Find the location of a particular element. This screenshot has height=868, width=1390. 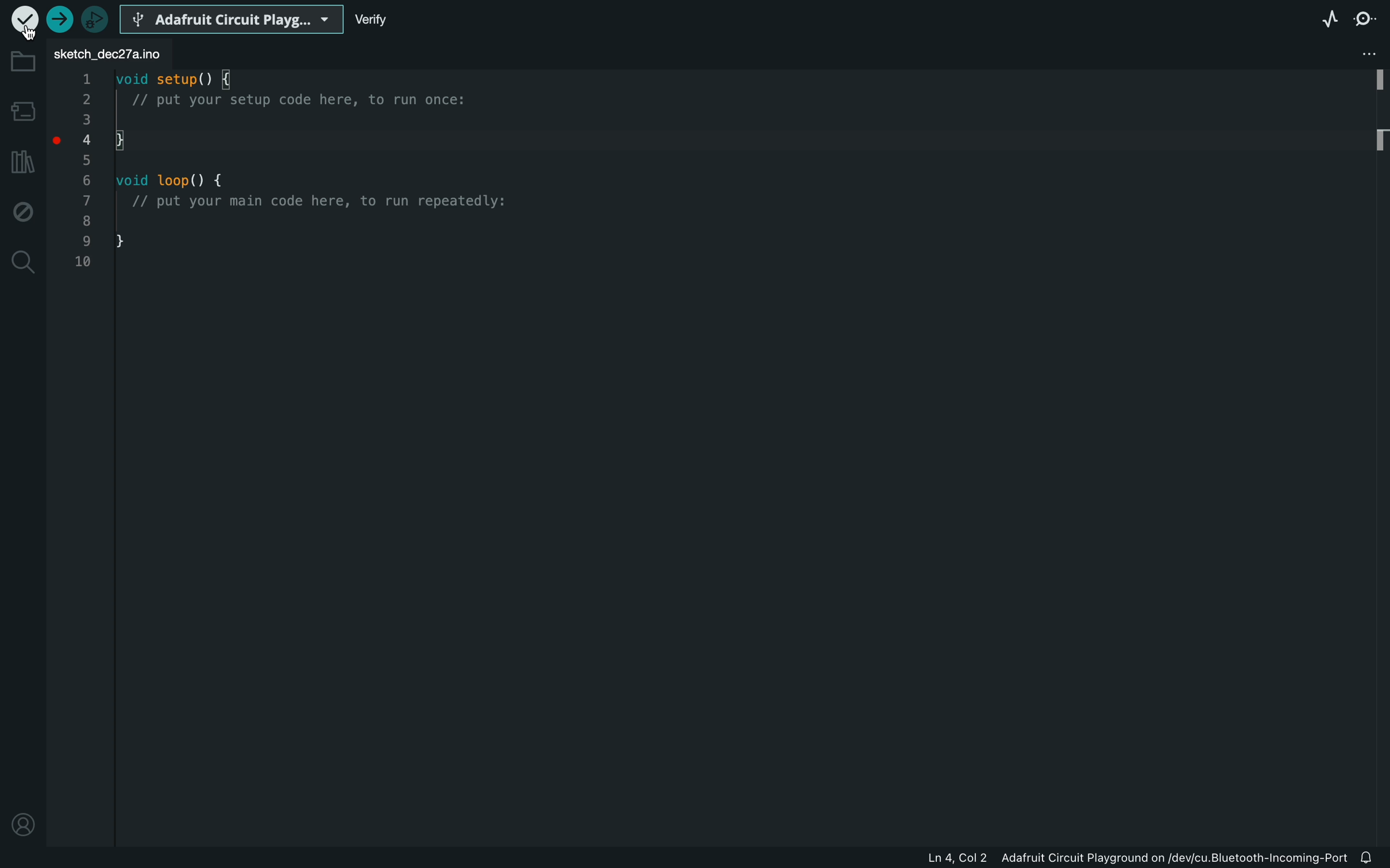

upload is located at coordinates (59, 19).